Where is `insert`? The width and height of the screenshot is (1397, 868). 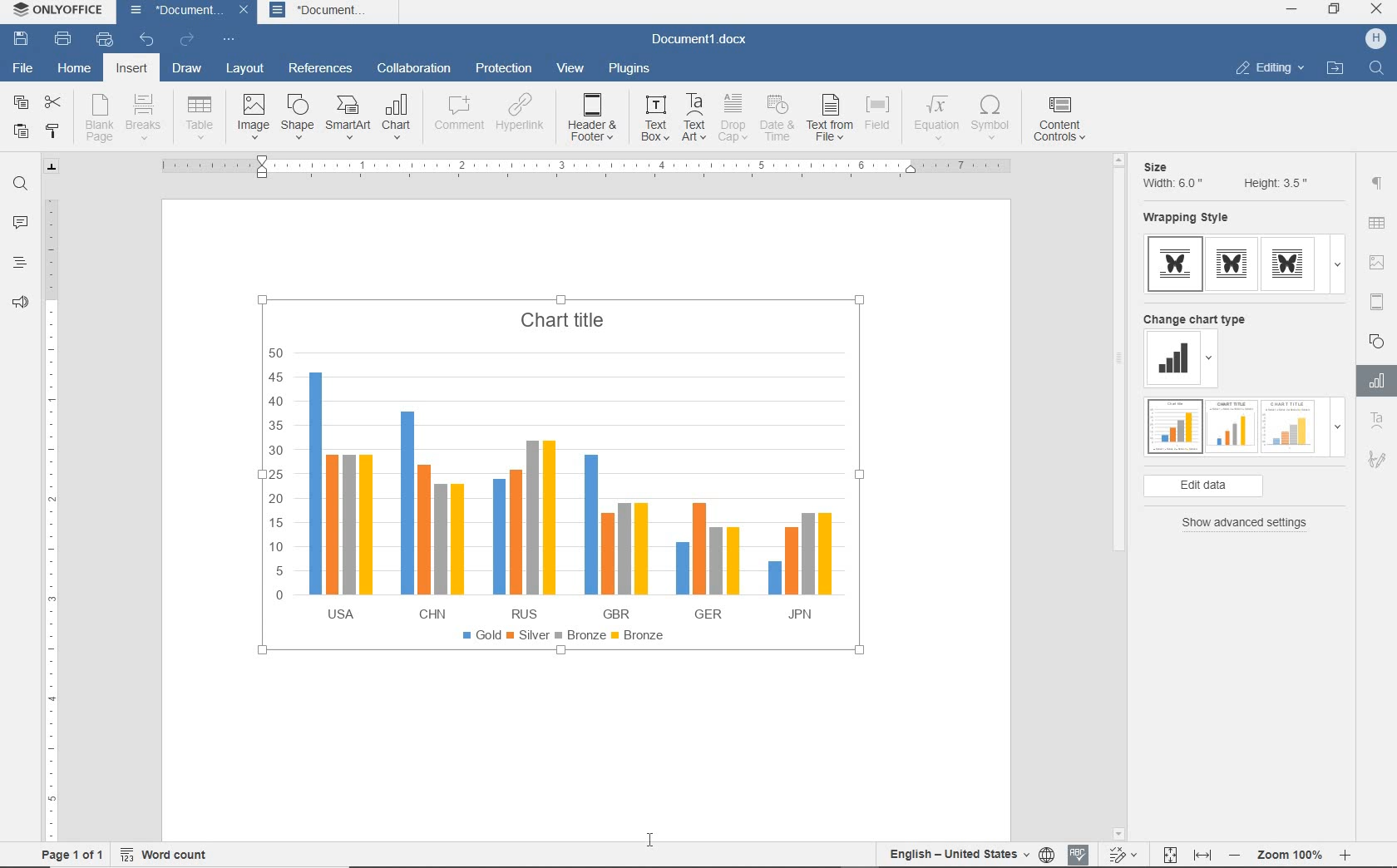
insert is located at coordinates (130, 70).